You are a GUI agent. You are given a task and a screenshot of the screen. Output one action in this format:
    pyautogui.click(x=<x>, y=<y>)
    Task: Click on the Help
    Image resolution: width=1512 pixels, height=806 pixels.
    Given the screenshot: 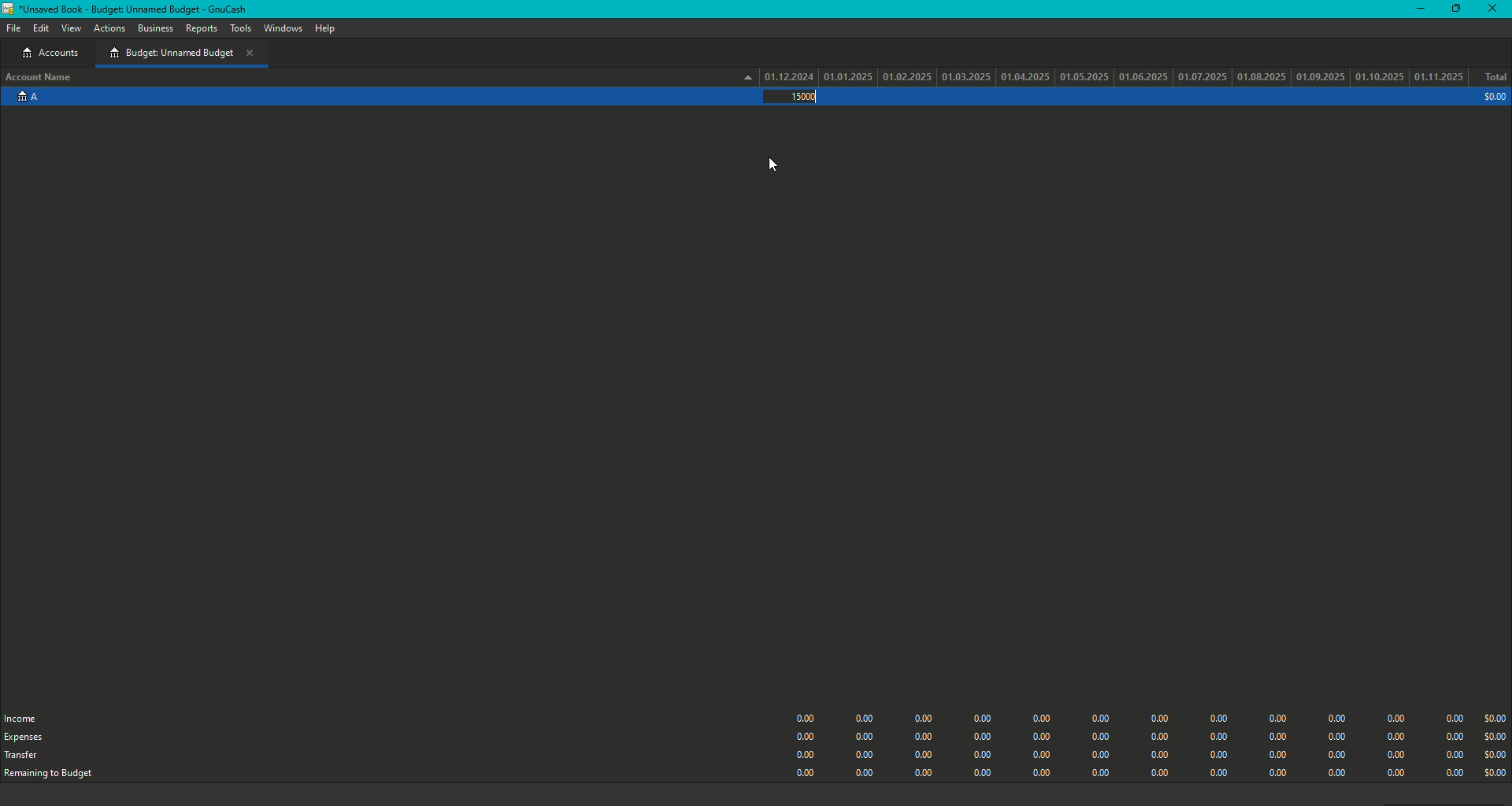 What is the action you would take?
    pyautogui.click(x=323, y=28)
    